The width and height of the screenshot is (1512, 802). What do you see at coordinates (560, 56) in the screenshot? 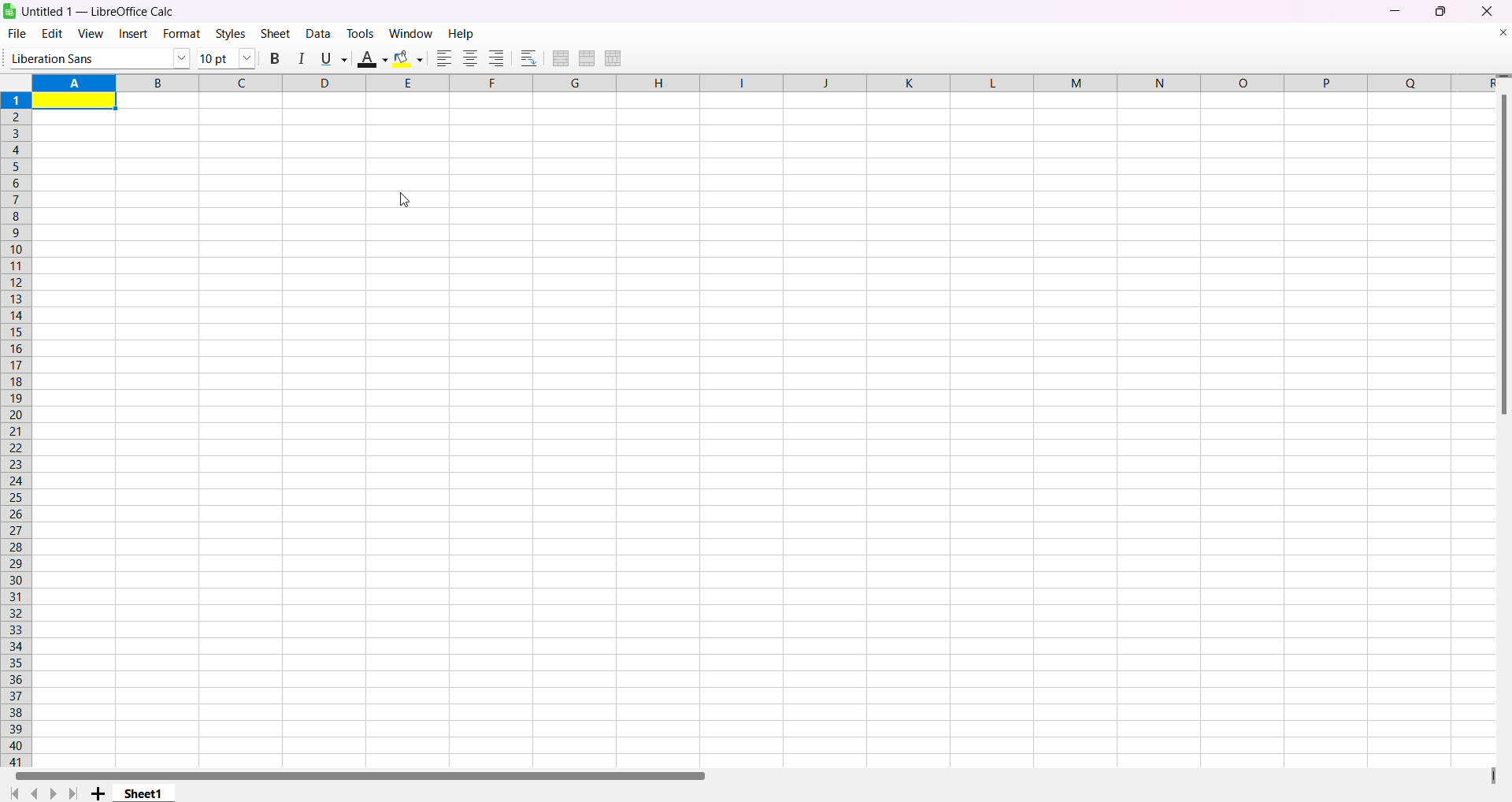
I see `merge and center` at bounding box center [560, 56].